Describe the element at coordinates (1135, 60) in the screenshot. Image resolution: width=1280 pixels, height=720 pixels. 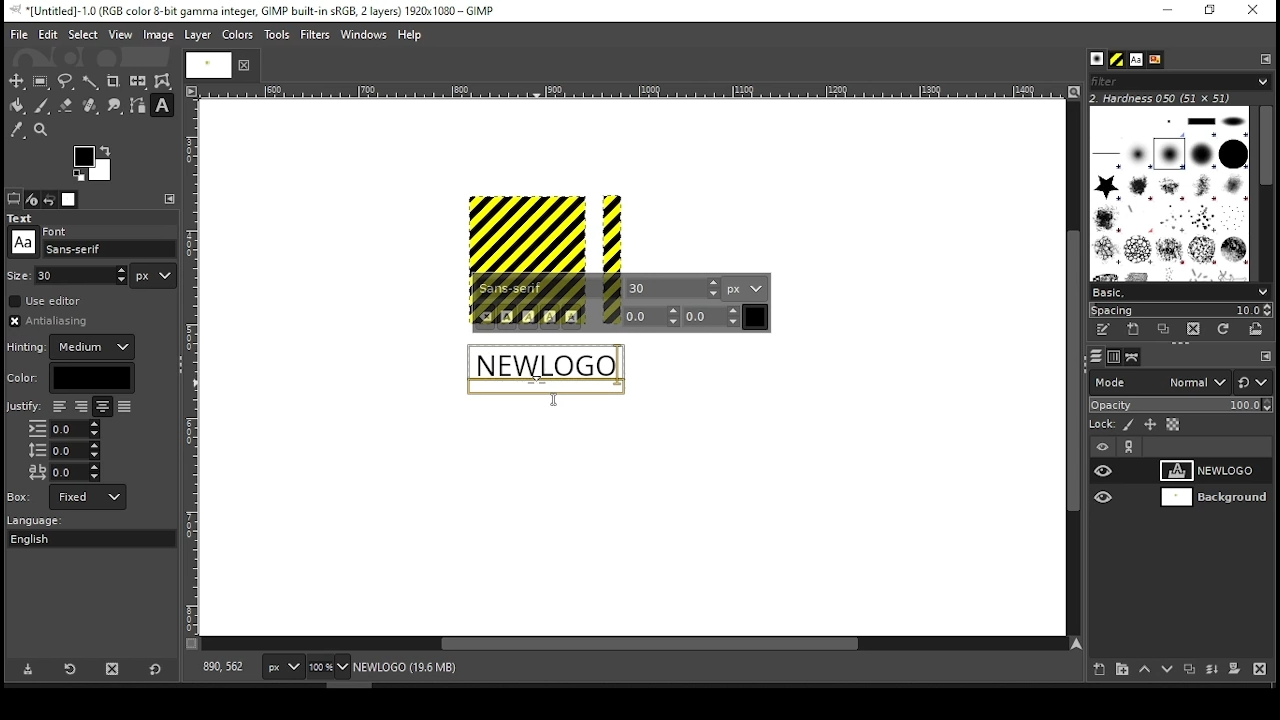
I see `font` at that location.